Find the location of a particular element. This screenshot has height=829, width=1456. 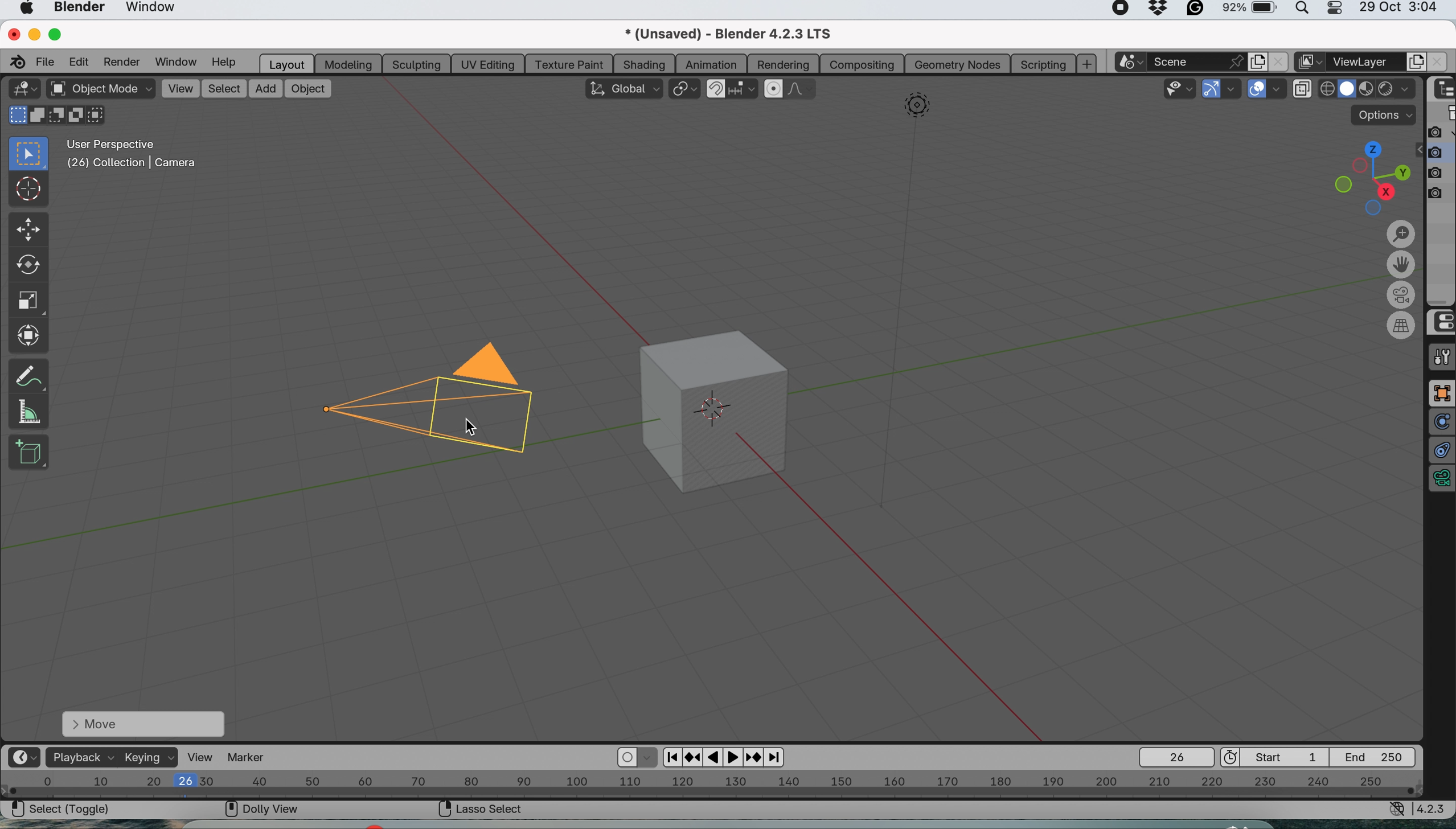

proportional editing object is located at coordinates (775, 89).